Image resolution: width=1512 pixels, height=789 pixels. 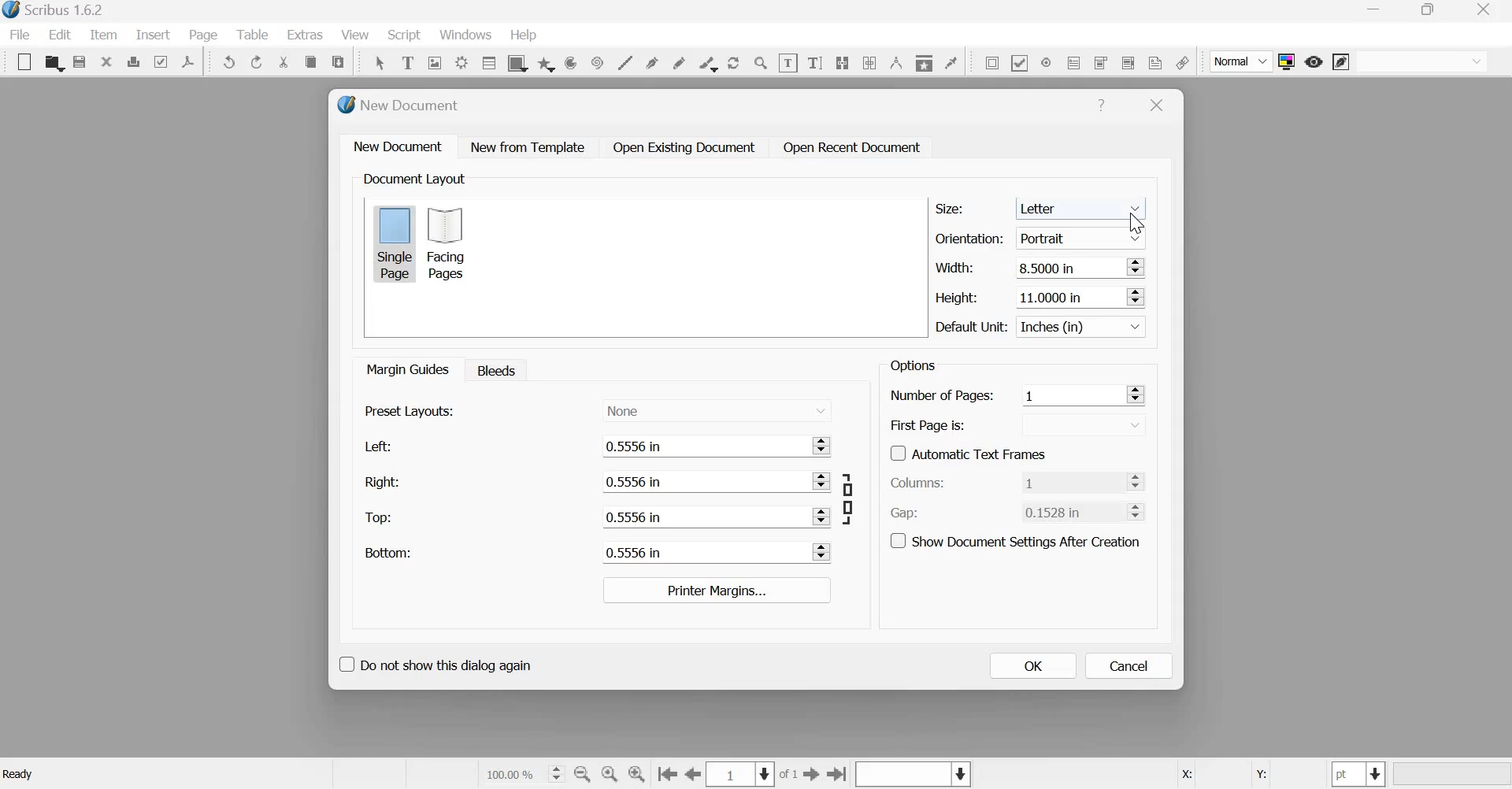 I want to click on Zoom in or zoom out, so click(x=761, y=62).